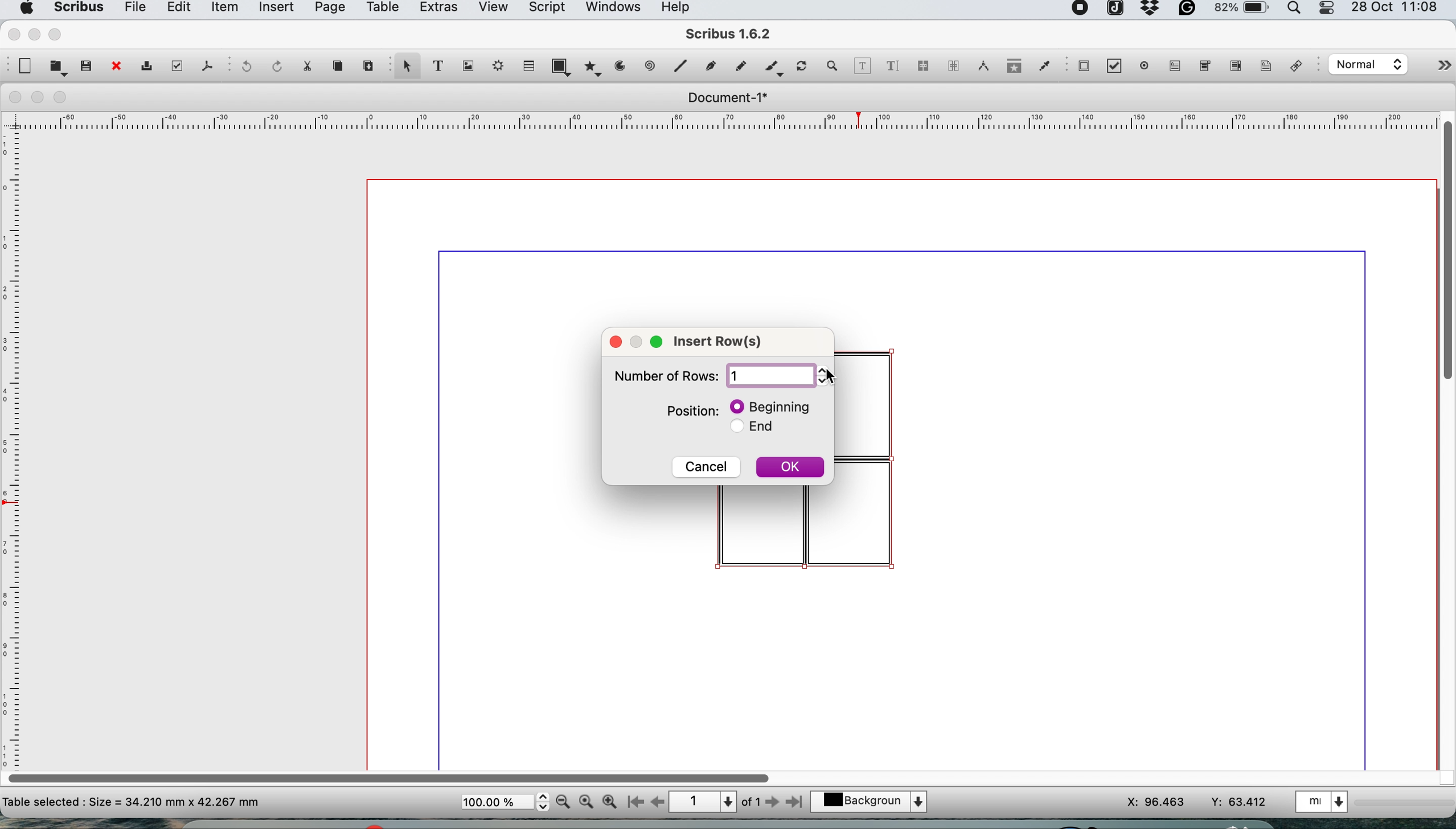  Describe the element at coordinates (340, 66) in the screenshot. I see `copy` at that location.